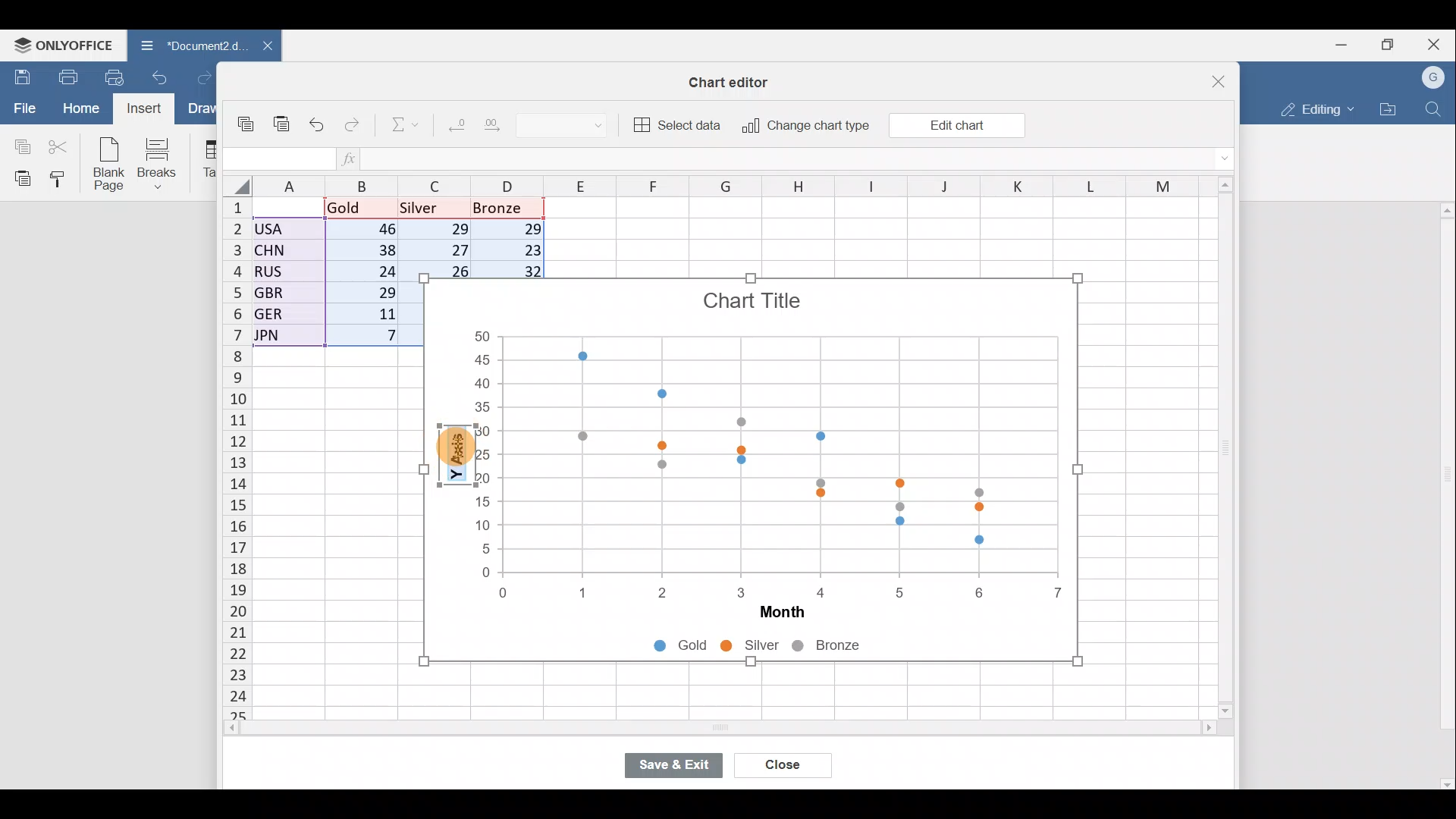 Image resolution: width=1456 pixels, height=819 pixels. Describe the element at coordinates (208, 160) in the screenshot. I see `Table` at that location.